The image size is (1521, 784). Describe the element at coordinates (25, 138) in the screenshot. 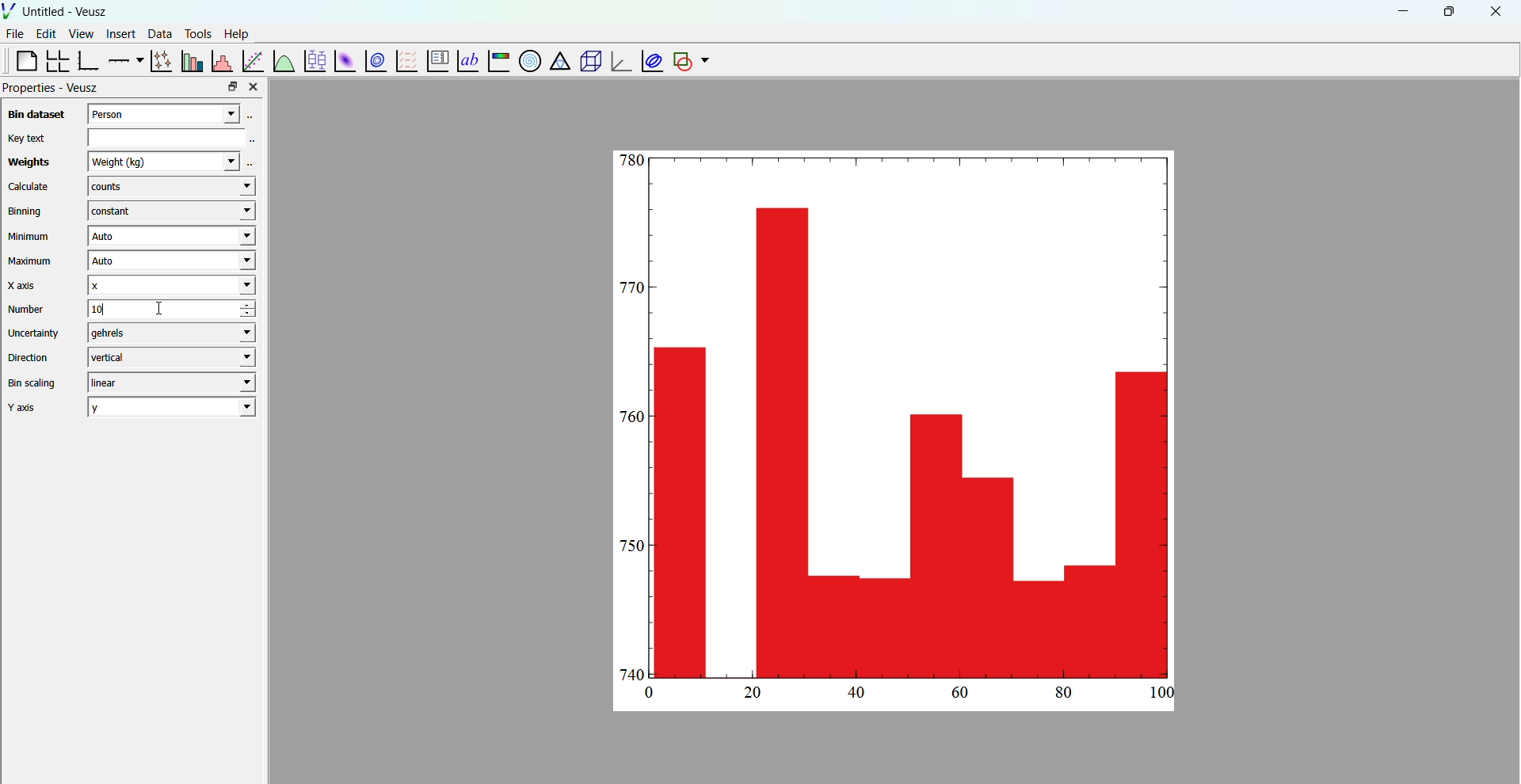

I see `Key text` at that location.